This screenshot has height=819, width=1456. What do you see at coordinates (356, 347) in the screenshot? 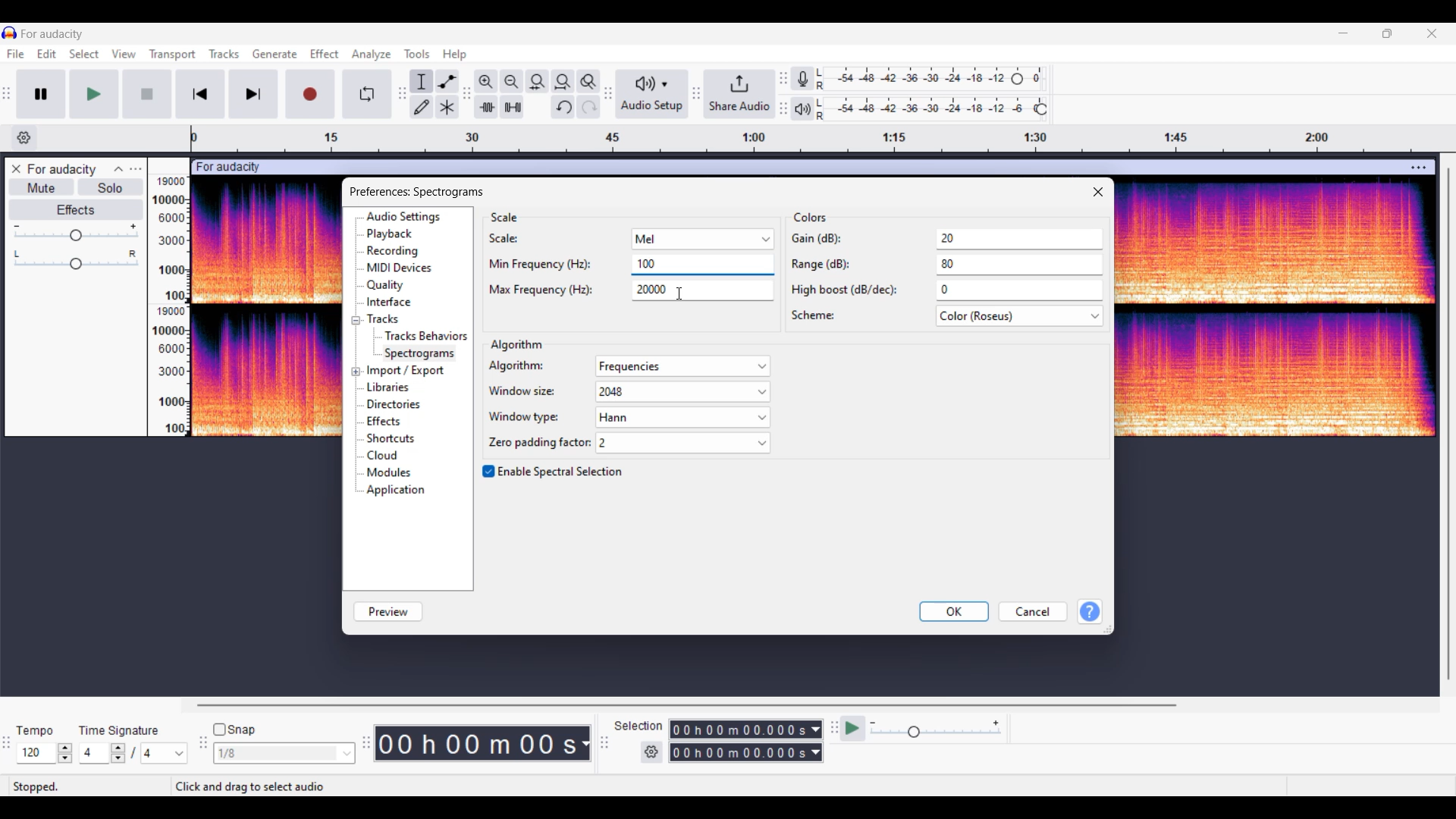
I see `Expand/Collapse specific setting` at bounding box center [356, 347].